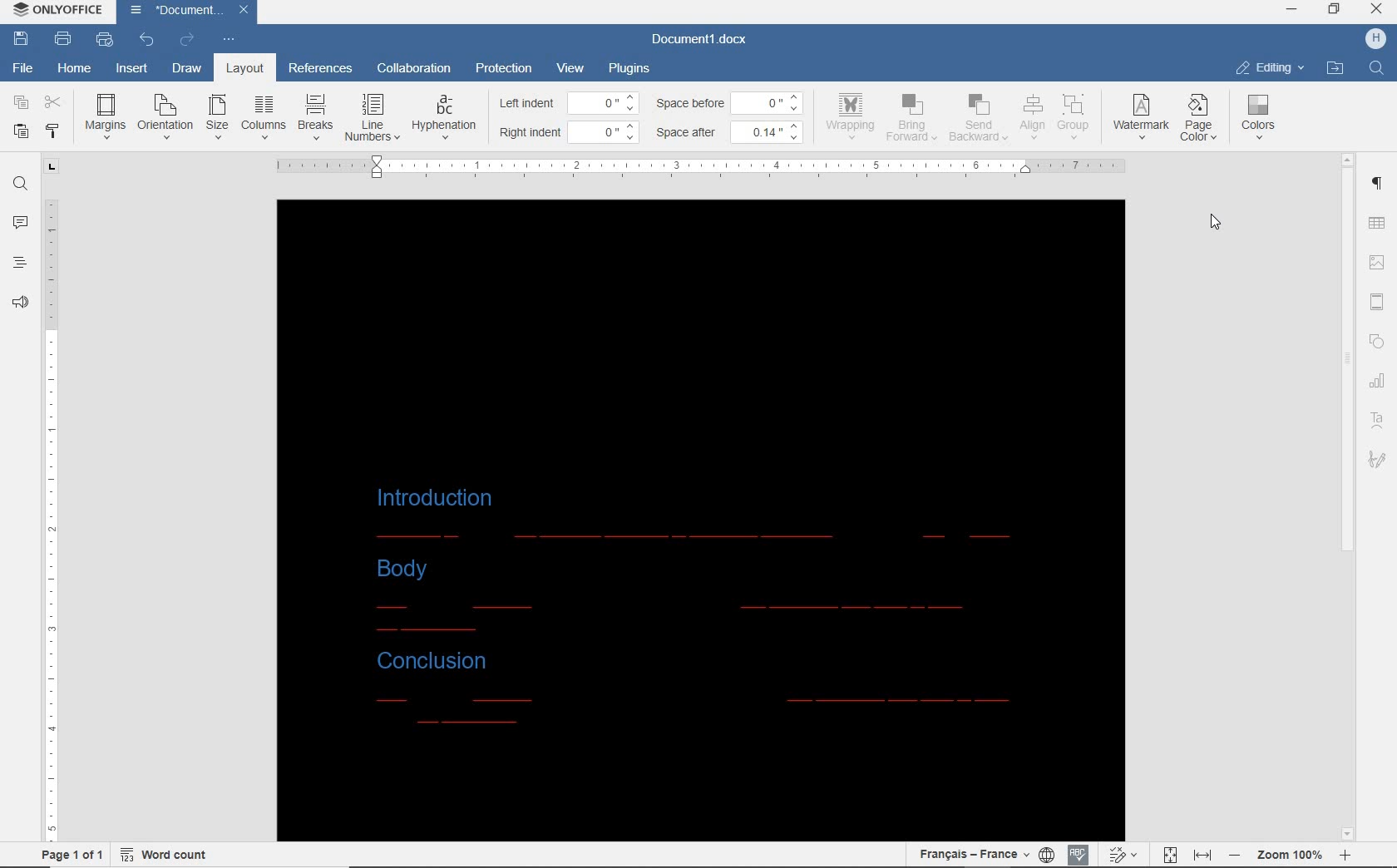 The image size is (1397, 868). What do you see at coordinates (186, 40) in the screenshot?
I see `redo` at bounding box center [186, 40].